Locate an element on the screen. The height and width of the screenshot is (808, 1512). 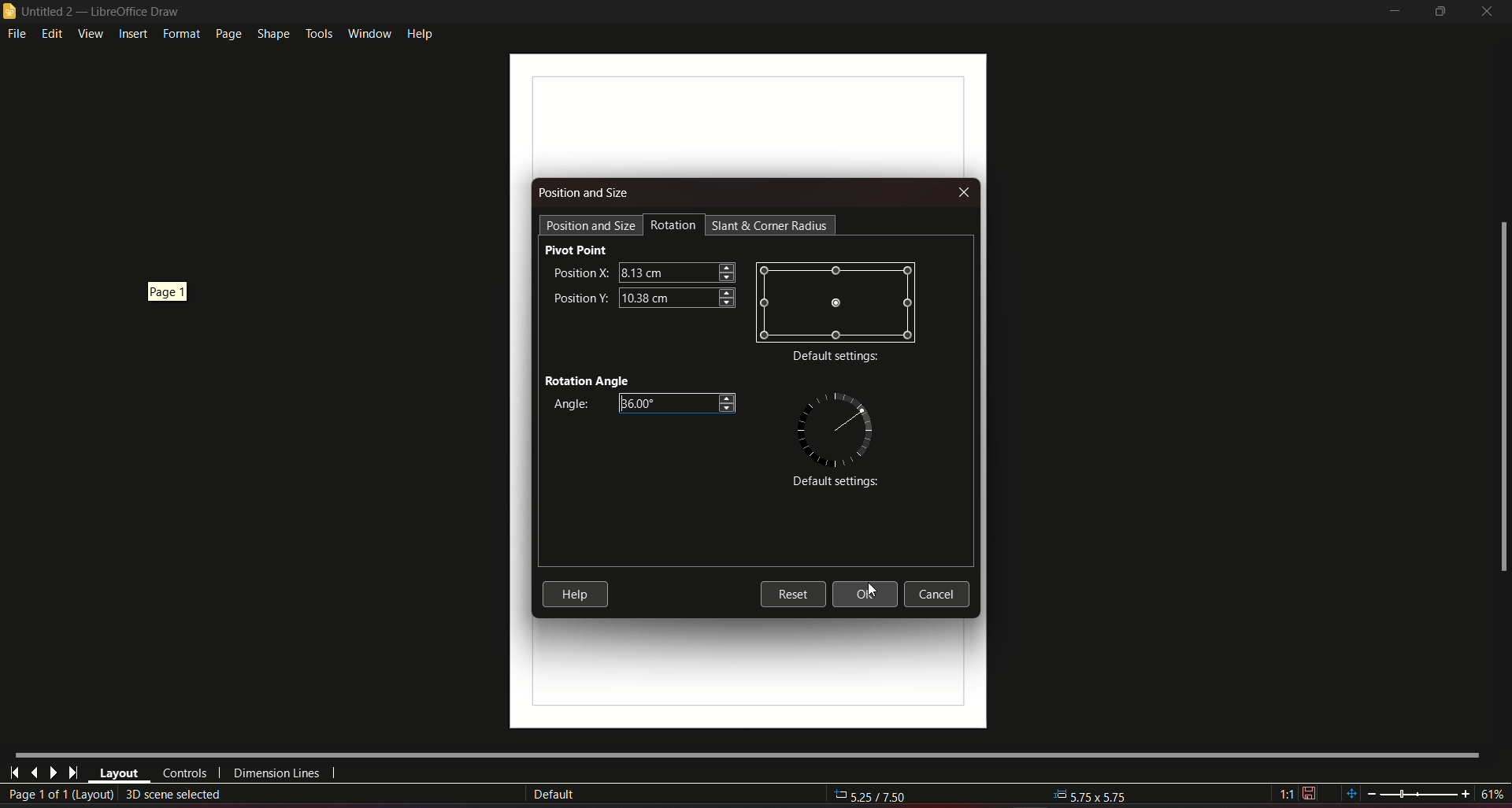
layout is located at coordinates (119, 774).